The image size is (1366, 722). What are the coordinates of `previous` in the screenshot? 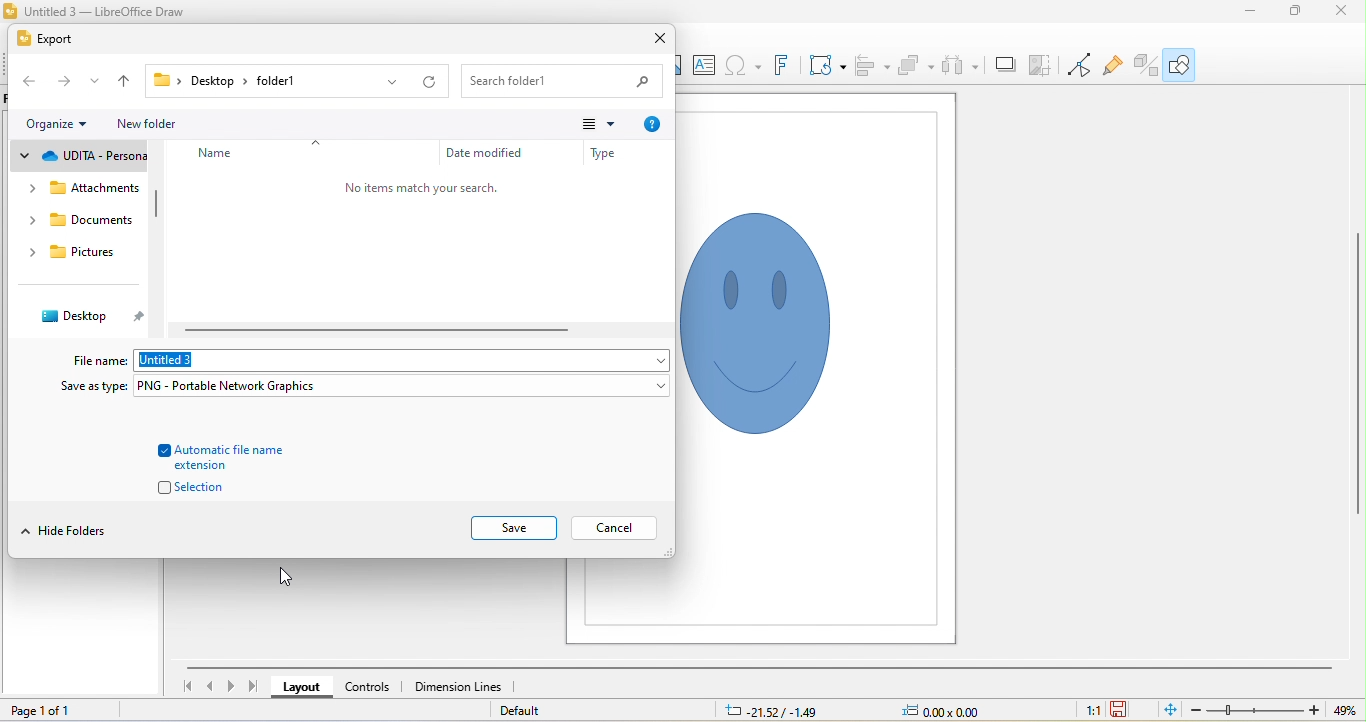 It's located at (210, 687).